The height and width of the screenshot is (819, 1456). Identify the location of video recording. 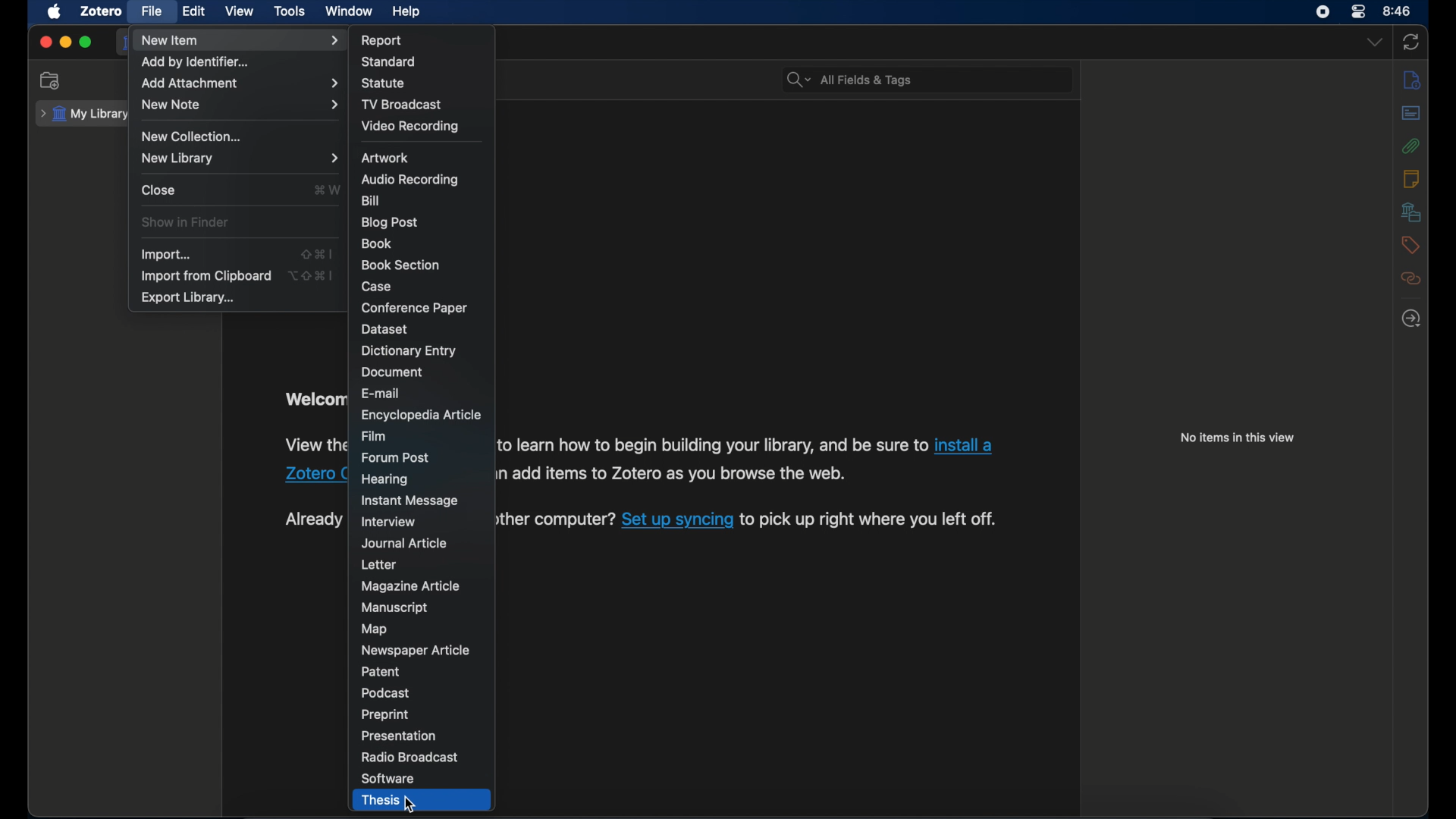
(409, 126).